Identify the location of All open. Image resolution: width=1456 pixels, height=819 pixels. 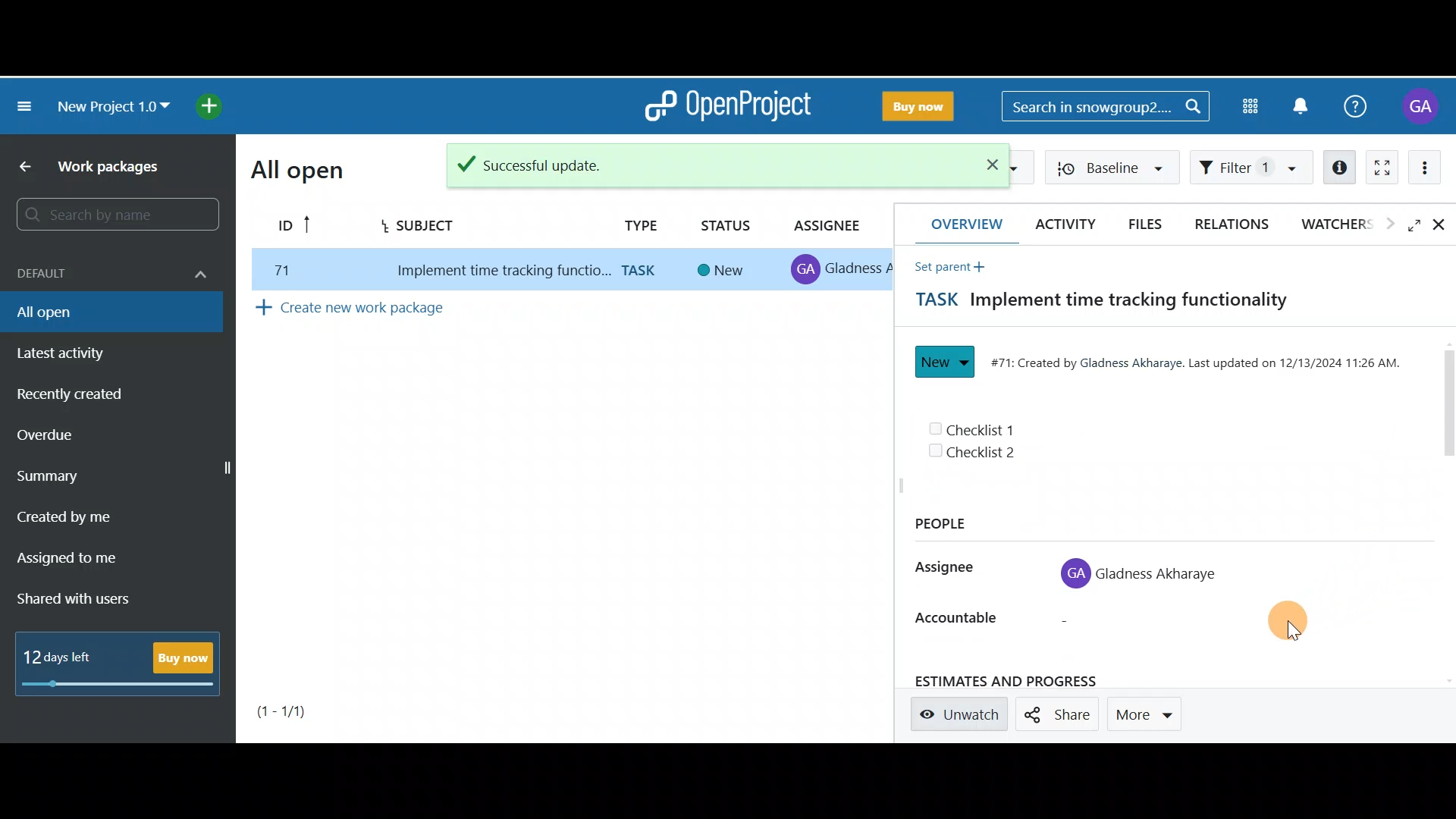
(297, 170).